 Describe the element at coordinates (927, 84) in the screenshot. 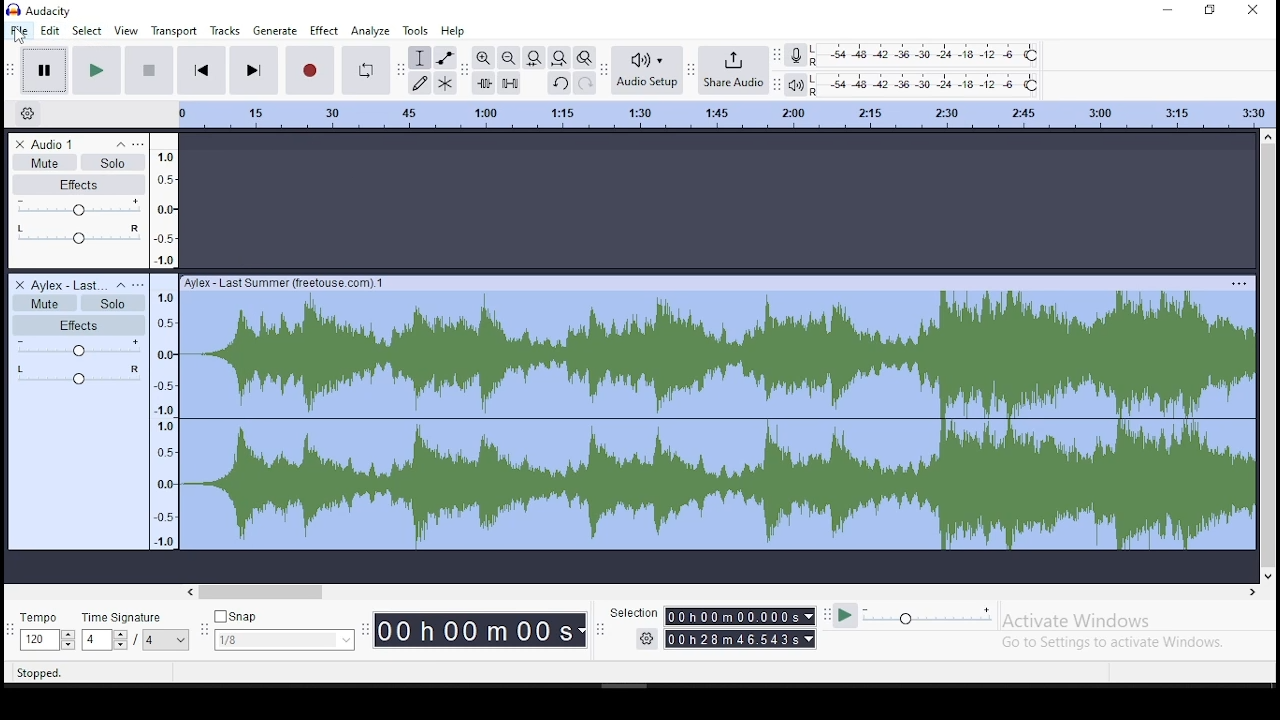

I see `playback level` at that location.